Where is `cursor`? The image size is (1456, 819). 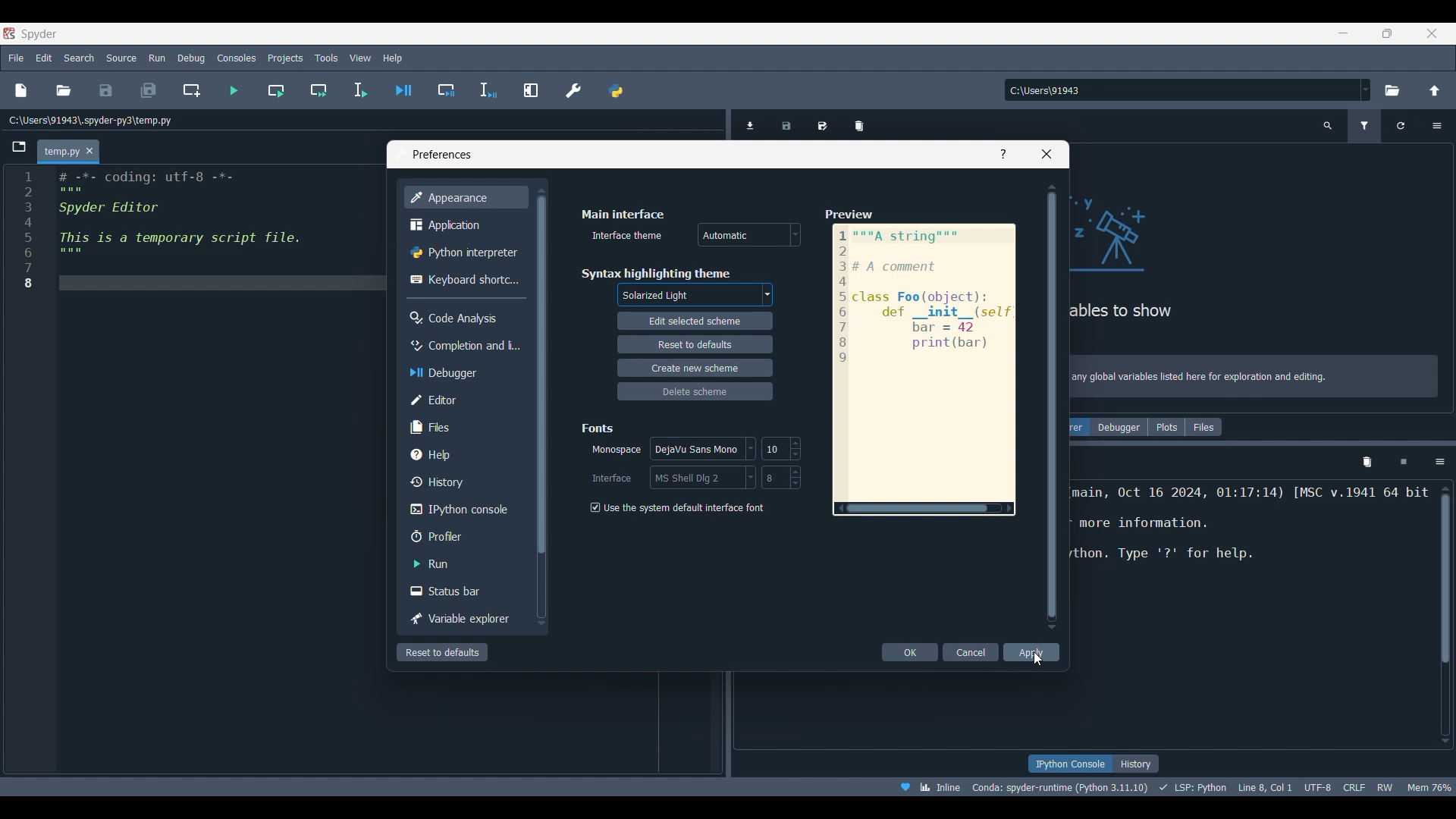
cursor is located at coordinates (1037, 657).